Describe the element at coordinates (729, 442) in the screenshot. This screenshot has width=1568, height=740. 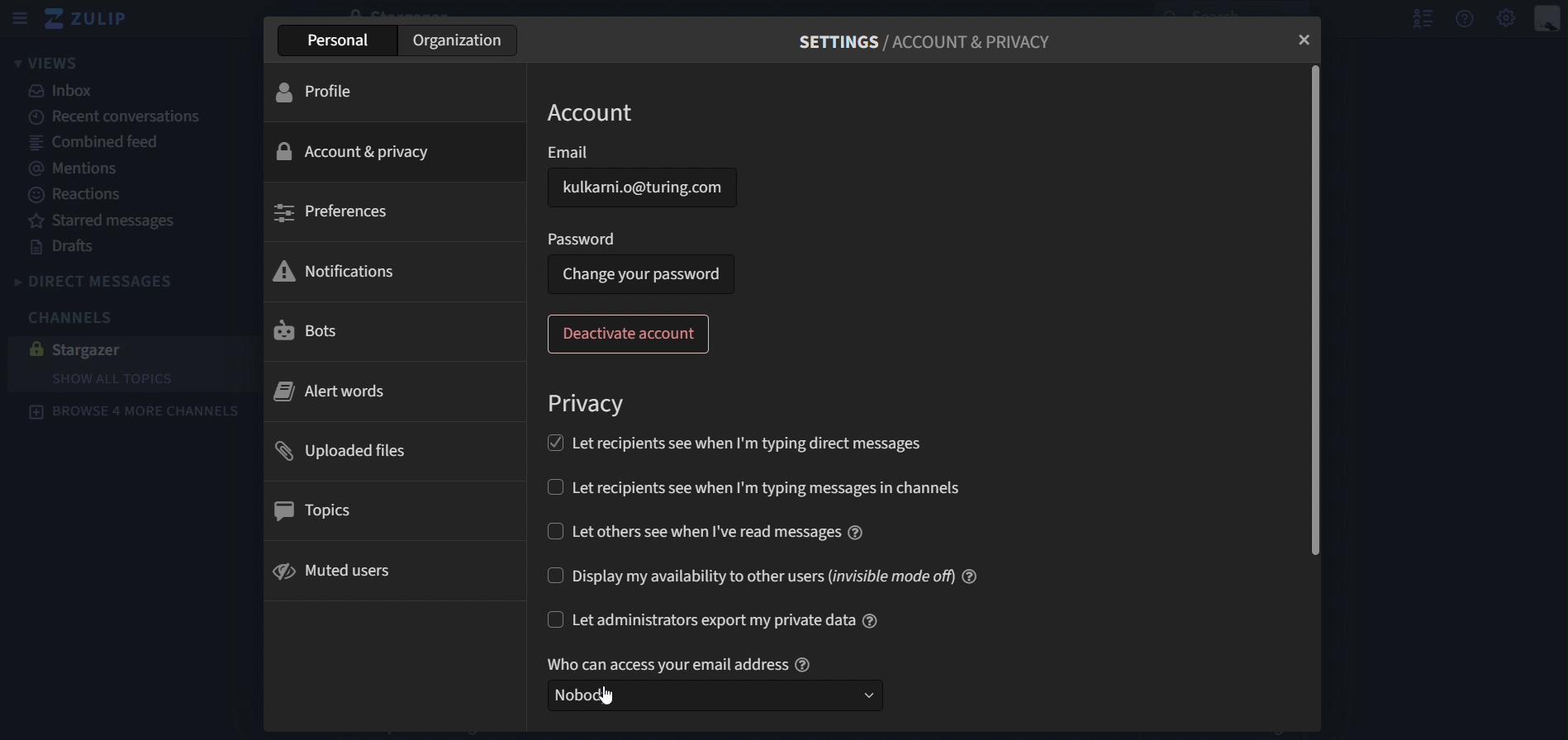
I see `let recipients see when Im typing direct messages` at that location.